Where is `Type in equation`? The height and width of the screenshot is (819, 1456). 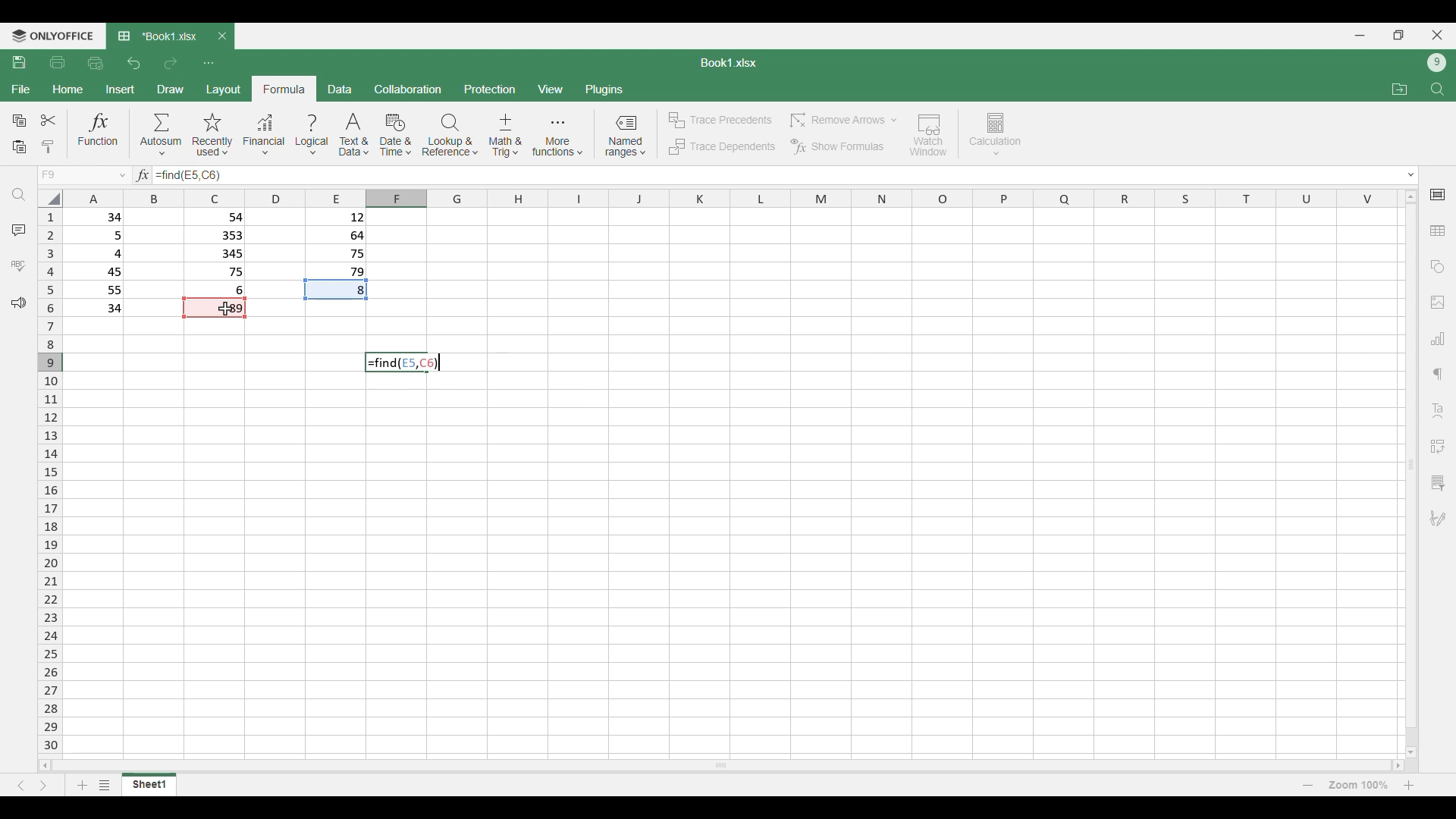 Type in equation is located at coordinates (807, 175).